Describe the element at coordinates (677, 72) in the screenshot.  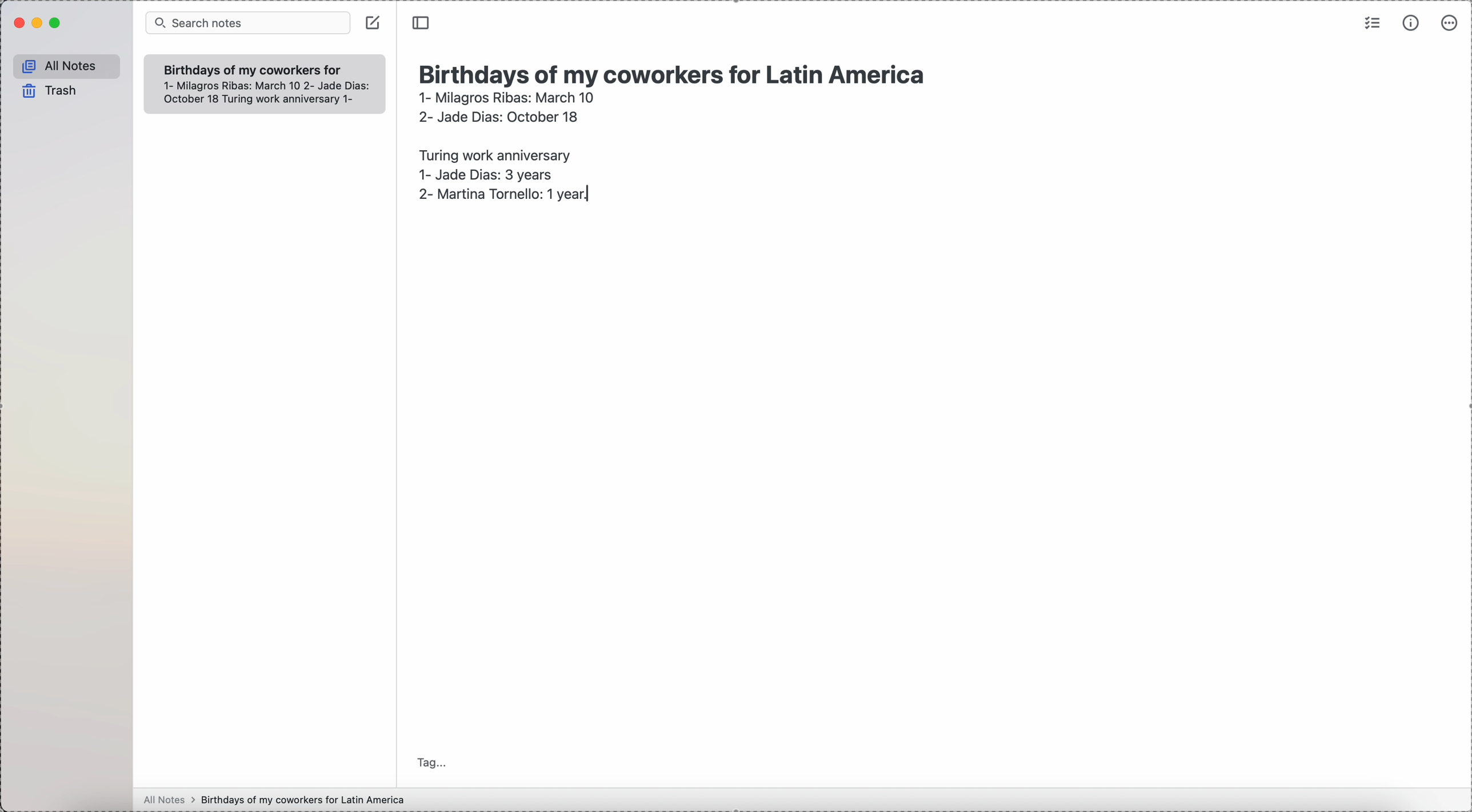
I see `Birthdays of my coworkers for Latin America` at that location.